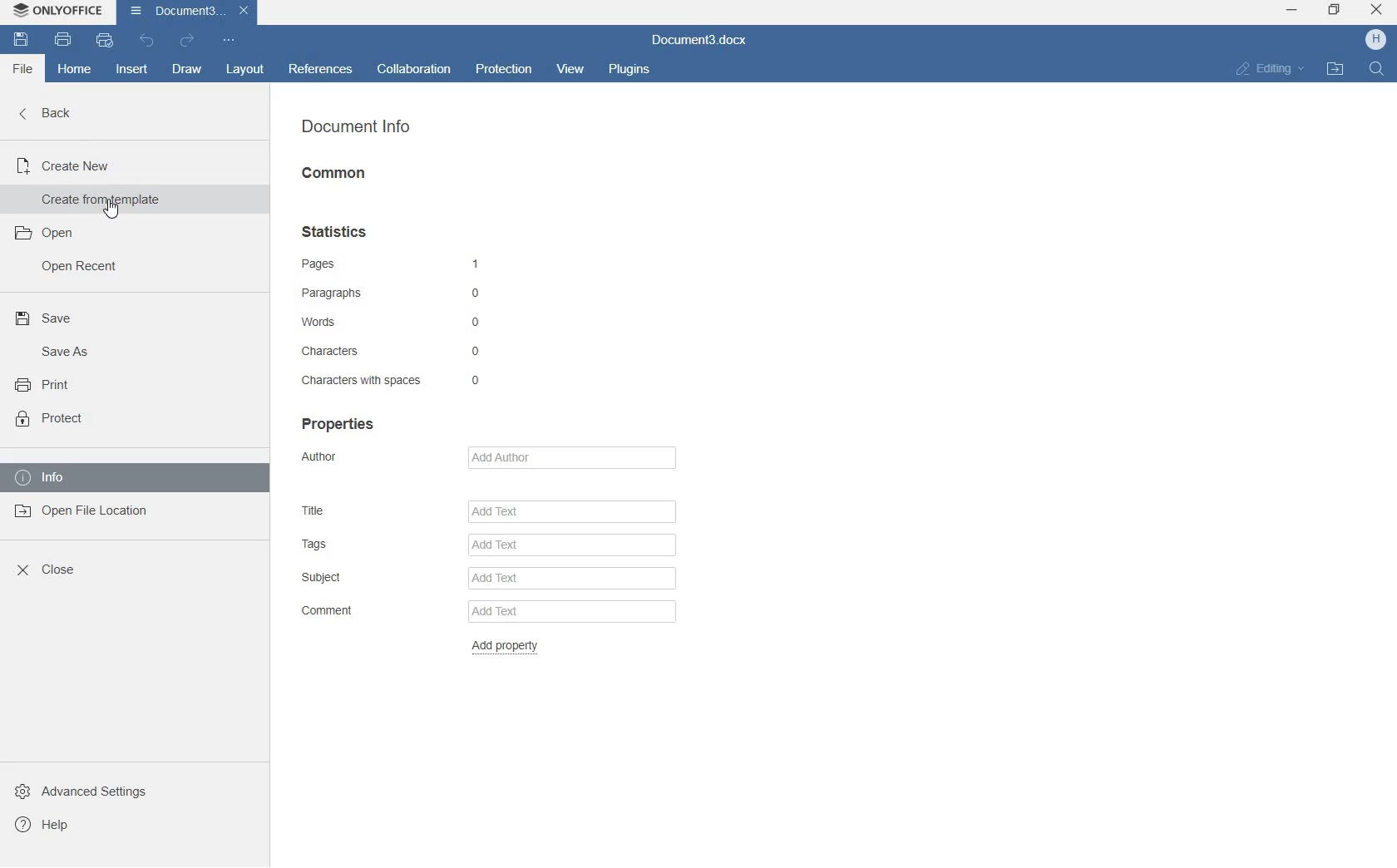 This screenshot has width=1397, height=868. What do you see at coordinates (392, 292) in the screenshot?
I see `paragraph 0` at bounding box center [392, 292].